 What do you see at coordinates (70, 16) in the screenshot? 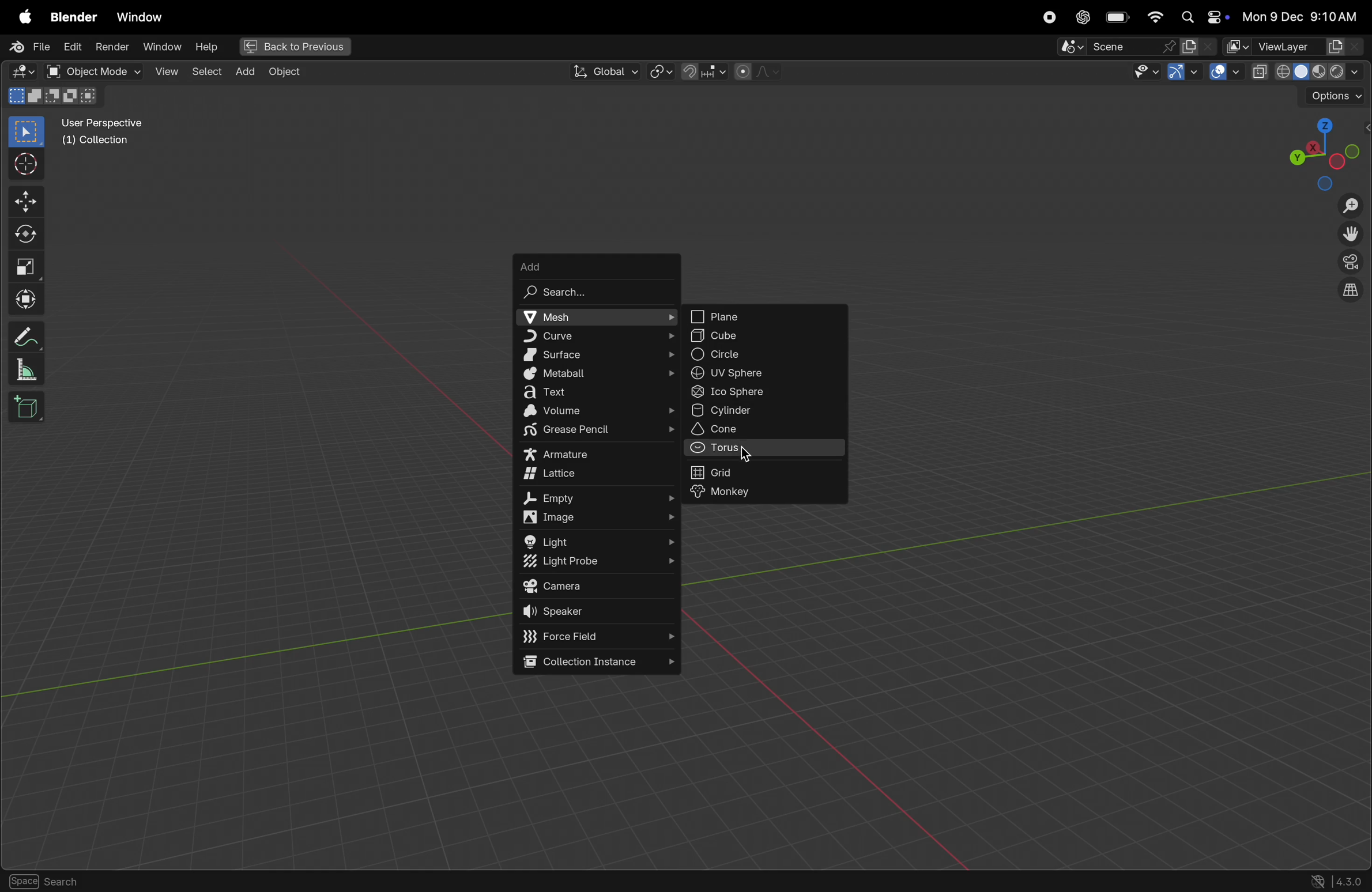
I see `Blender` at bounding box center [70, 16].